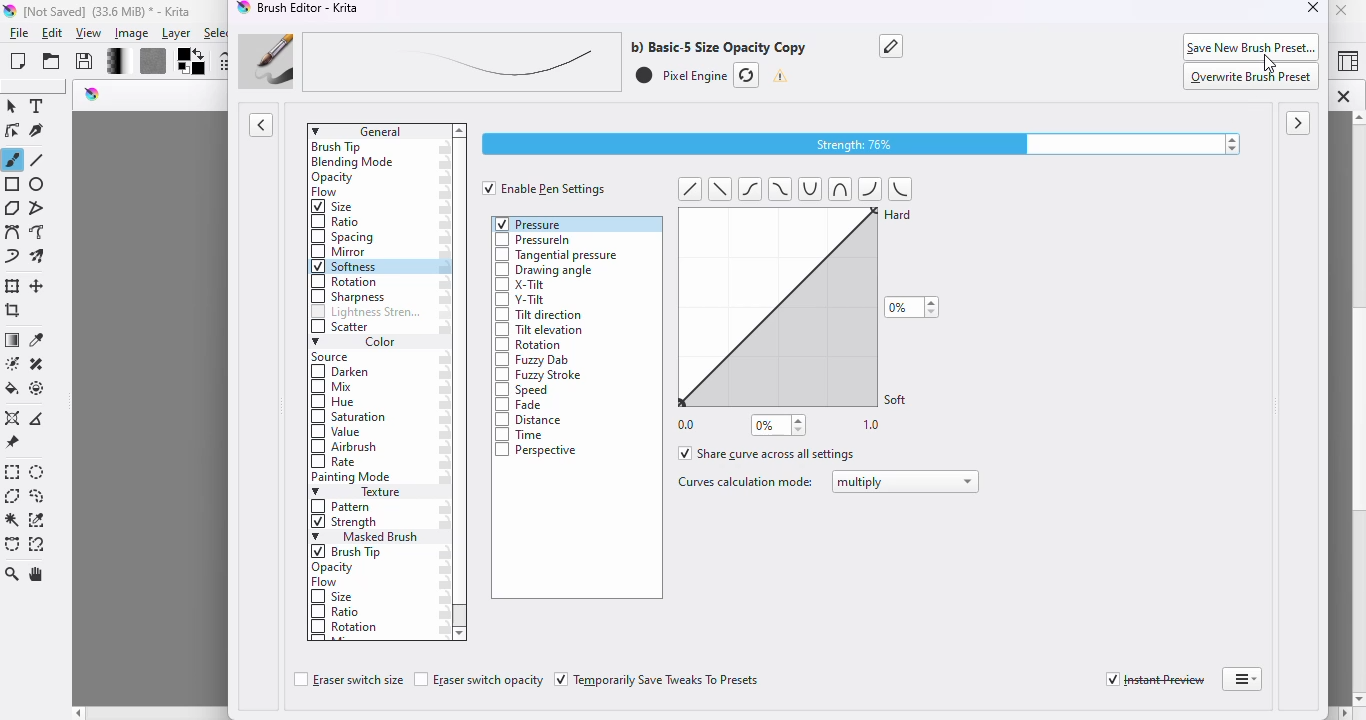 This screenshot has width=1366, height=720. What do you see at coordinates (192, 62) in the screenshot?
I see `foreground/background color settings` at bounding box center [192, 62].